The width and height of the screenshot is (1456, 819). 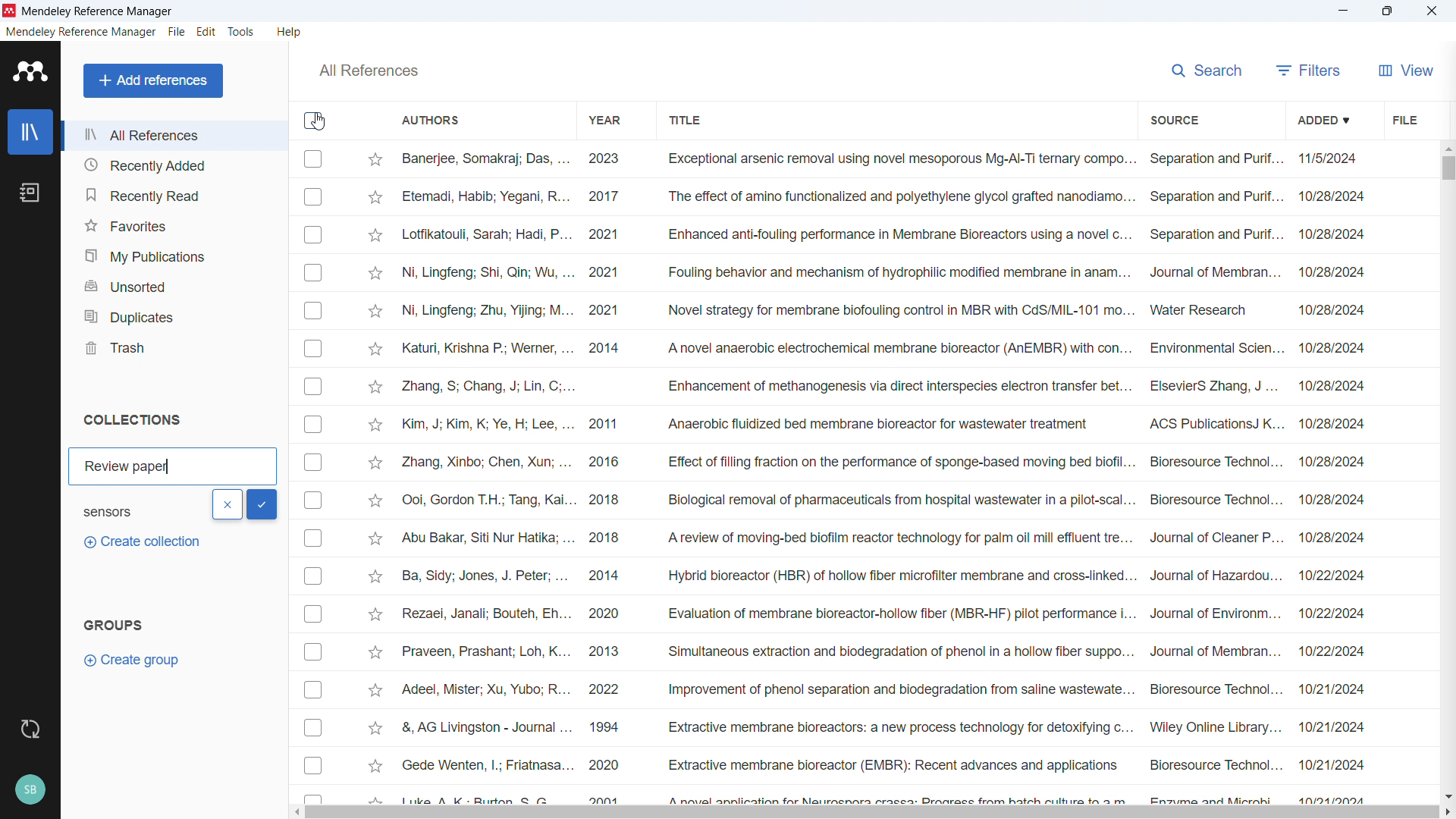 I want to click on Rezaei, Janali; Bouteh, Eh... 2020 Evaluation of membrane bioreactor-hollow fiber (MBR-HF) pilot performance i... Journal of Environm... 10/22/2024, so click(x=883, y=613).